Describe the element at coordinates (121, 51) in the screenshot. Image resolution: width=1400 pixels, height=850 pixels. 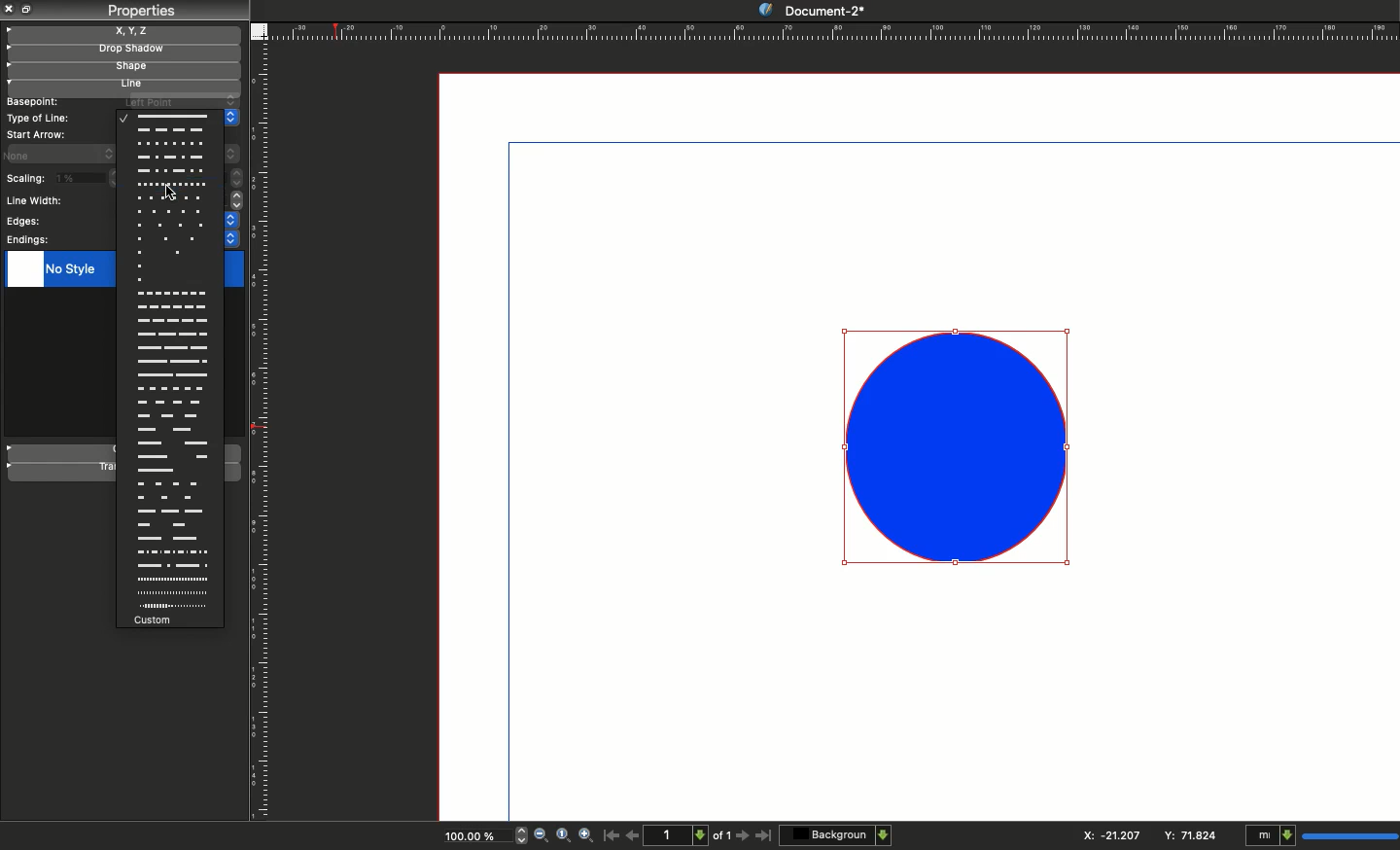
I see `Drop shadow` at that location.